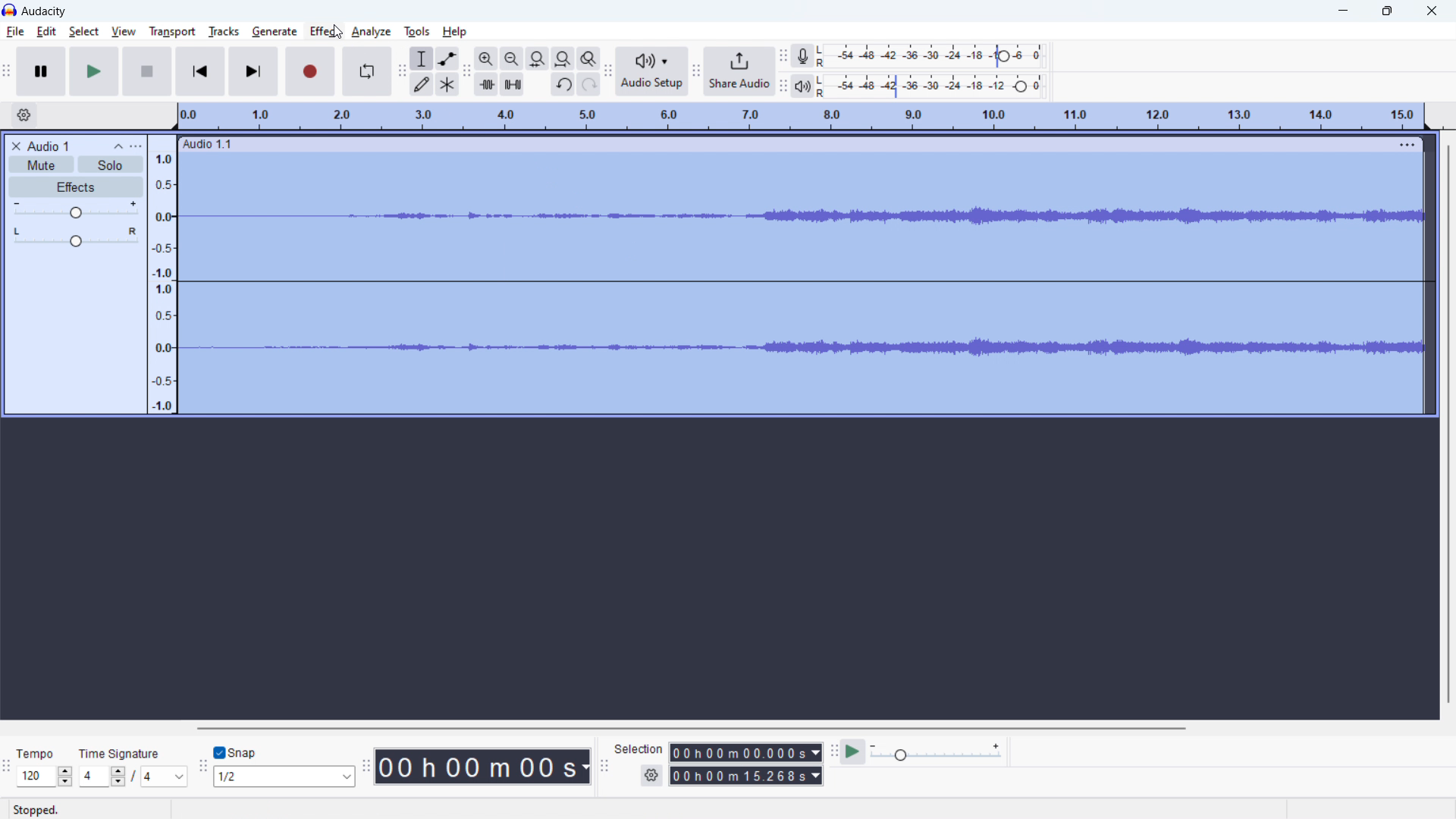 The height and width of the screenshot is (819, 1456). What do you see at coordinates (563, 58) in the screenshot?
I see `fit project to width` at bounding box center [563, 58].